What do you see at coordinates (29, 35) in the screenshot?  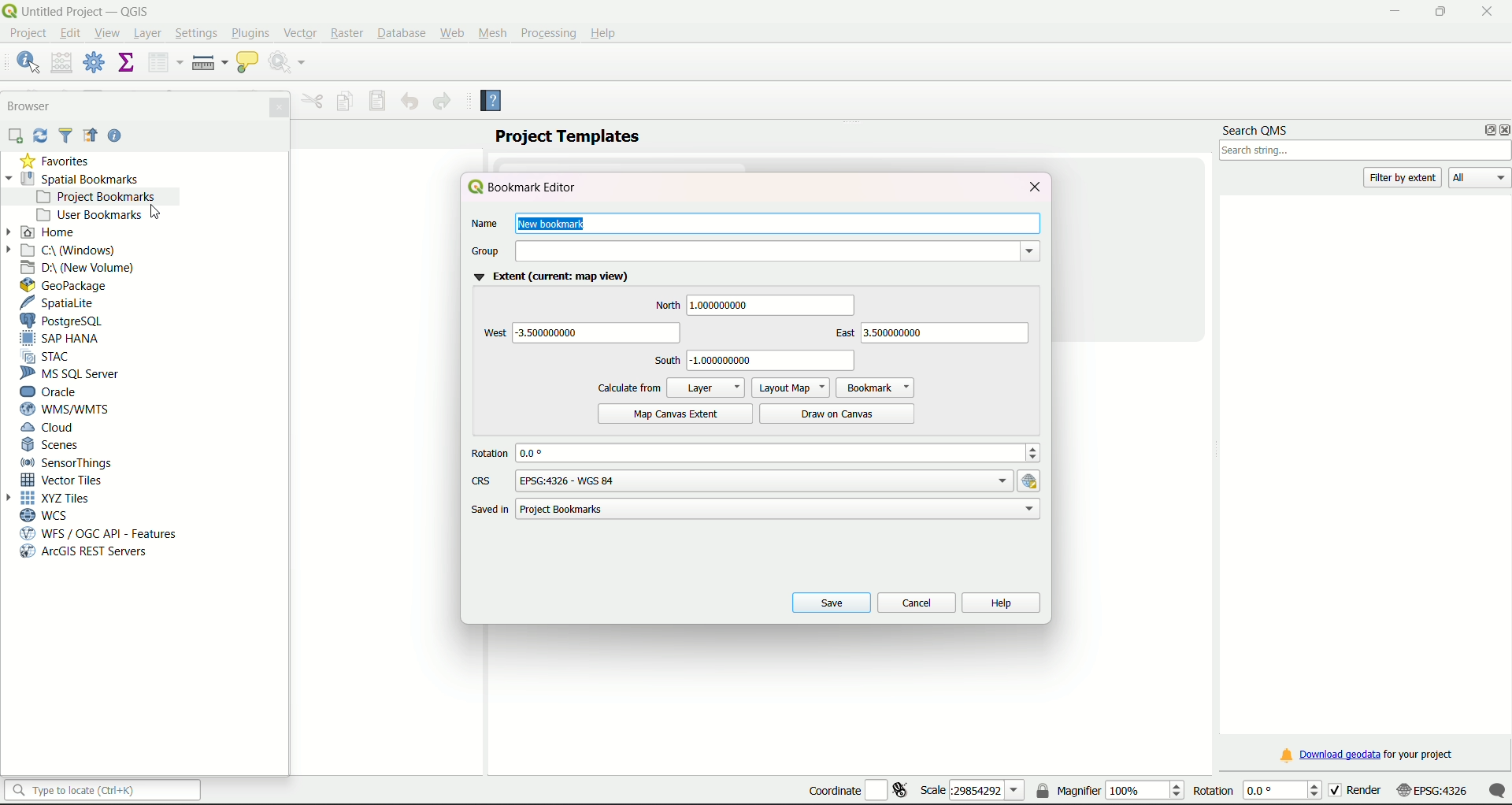 I see `project` at bounding box center [29, 35].